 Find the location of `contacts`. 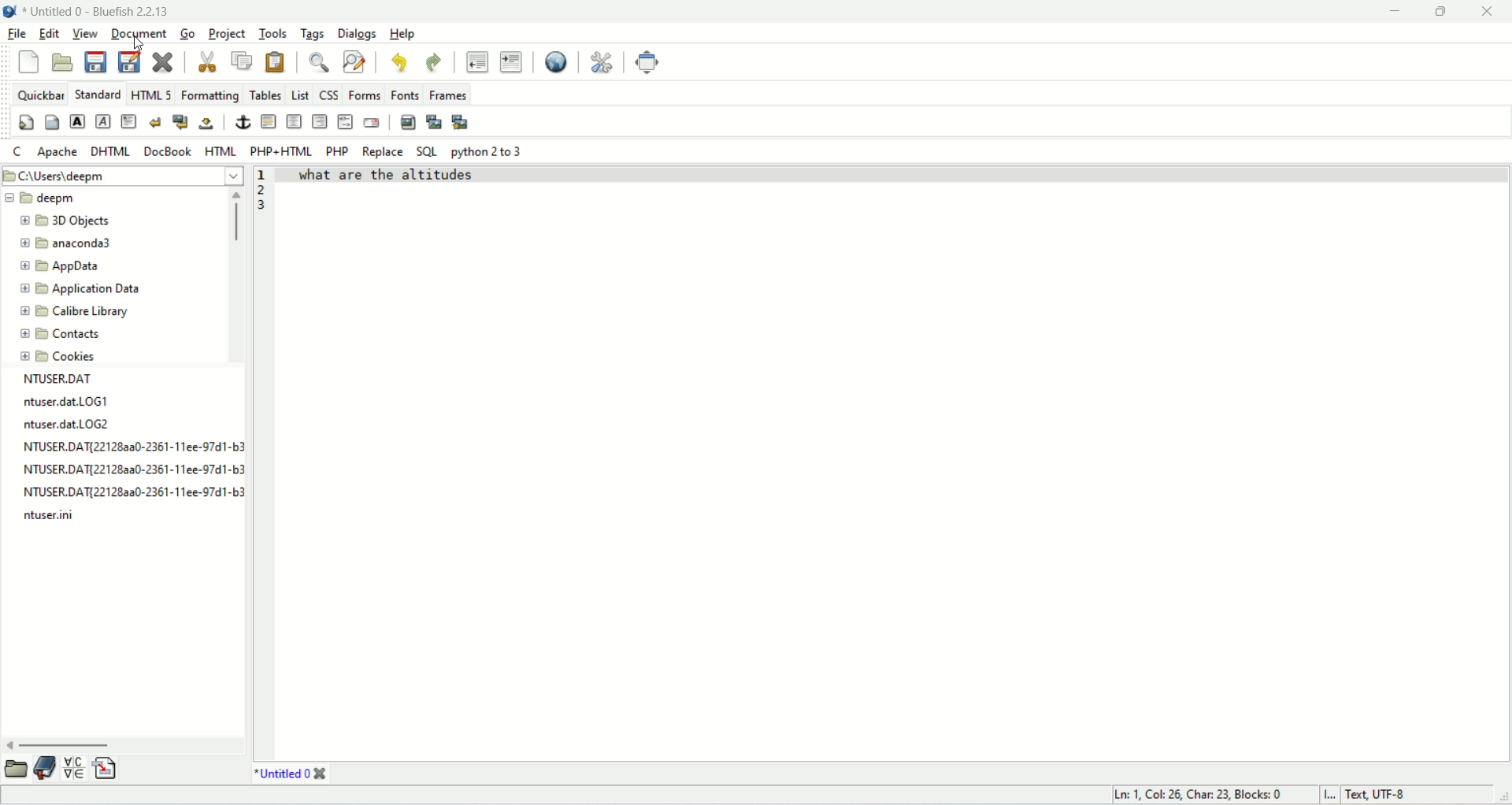

contacts is located at coordinates (61, 334).